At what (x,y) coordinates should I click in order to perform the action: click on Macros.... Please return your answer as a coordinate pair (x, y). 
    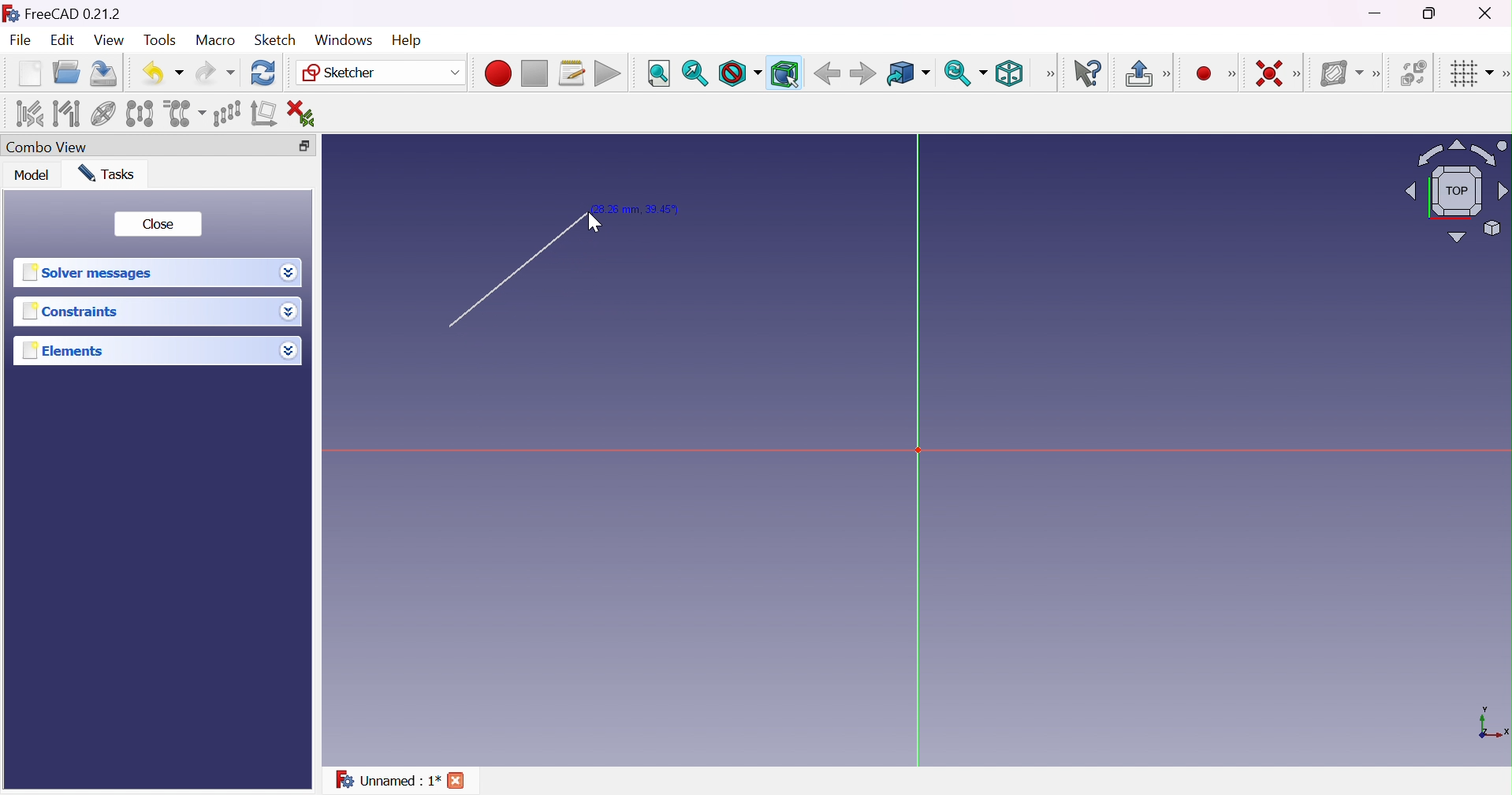
    Looking at the image, I should click on (572, 73).